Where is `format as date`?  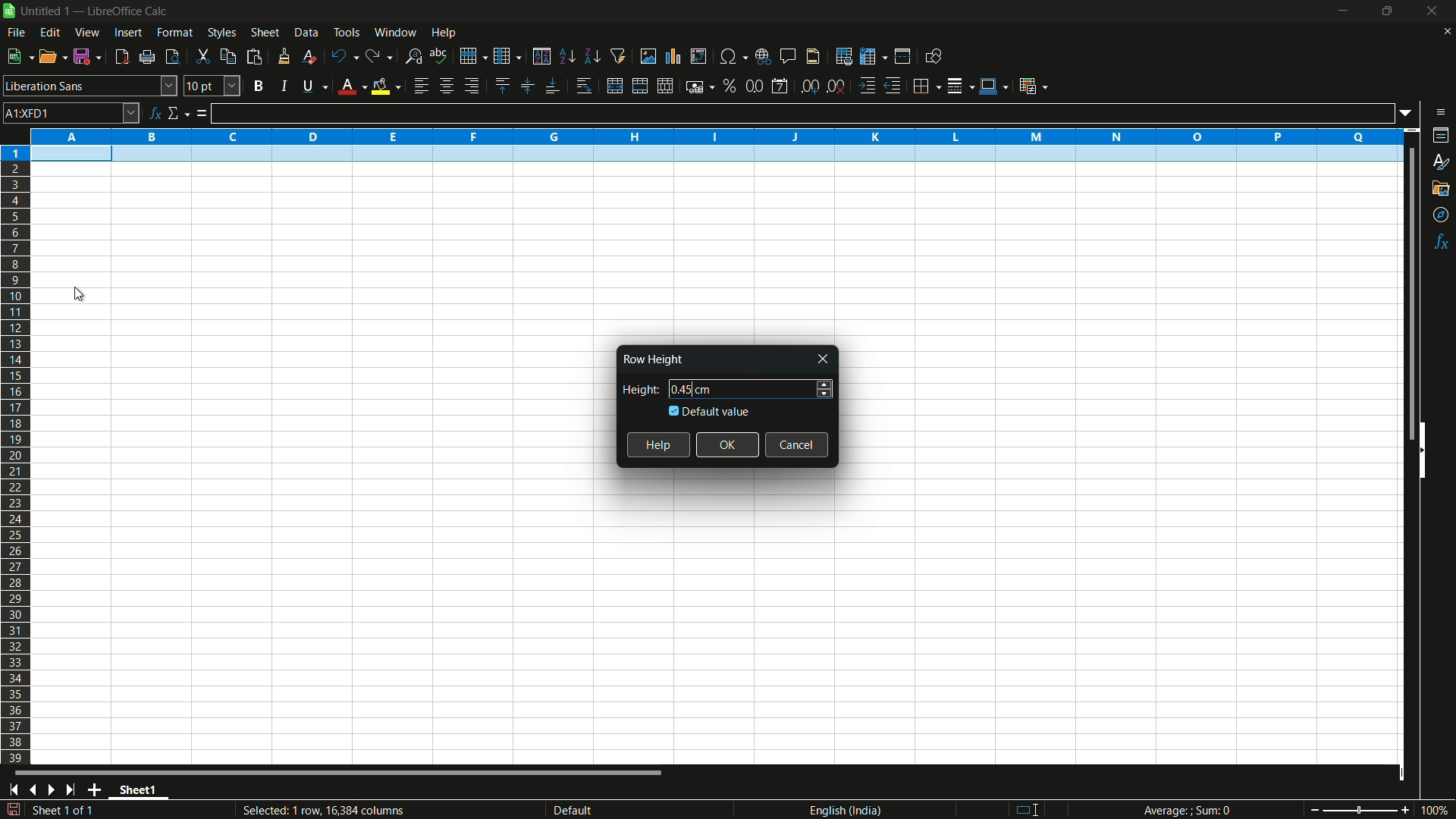 format as date is located at coordinates (780, 86).